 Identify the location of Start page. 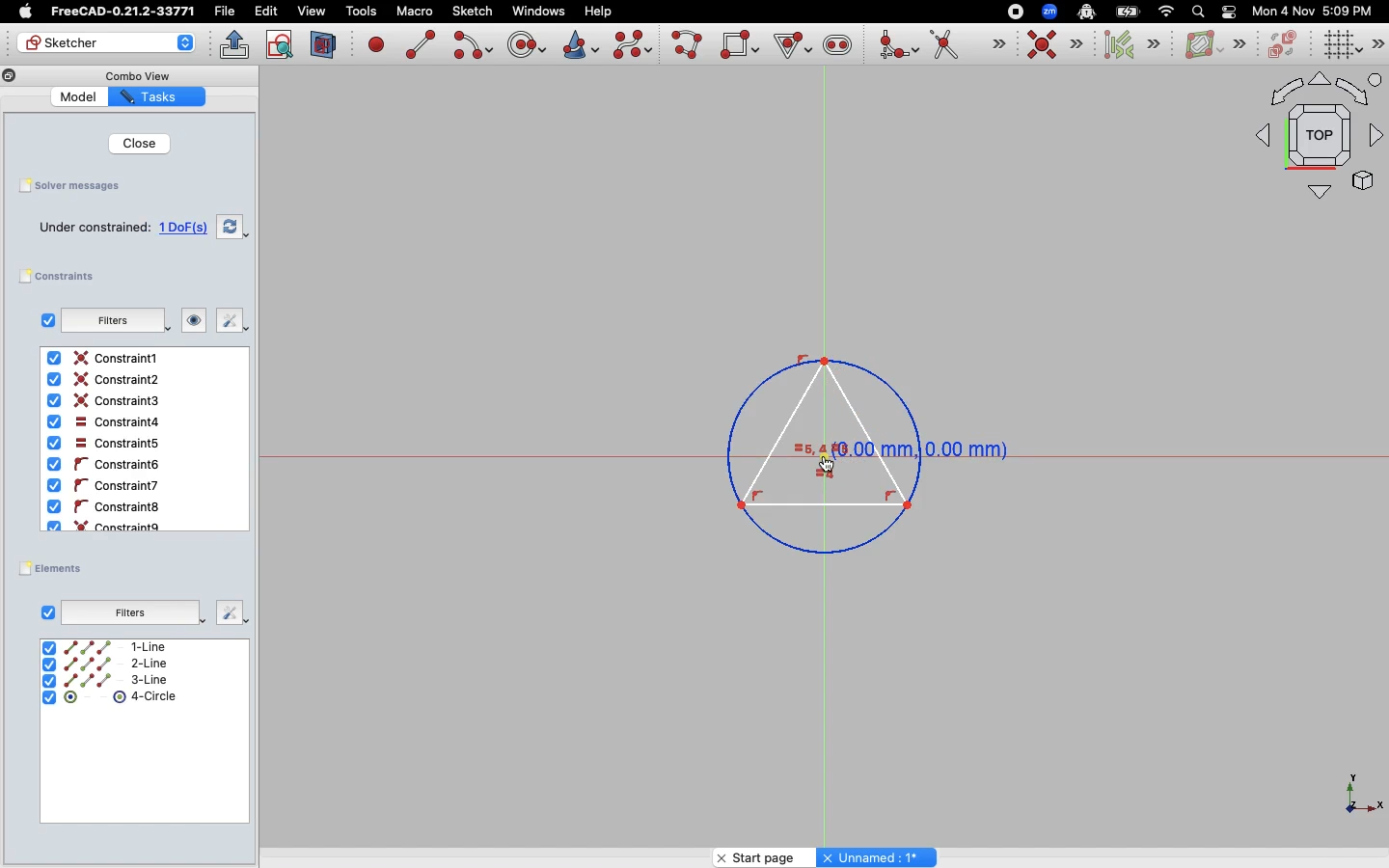
(754, 856).